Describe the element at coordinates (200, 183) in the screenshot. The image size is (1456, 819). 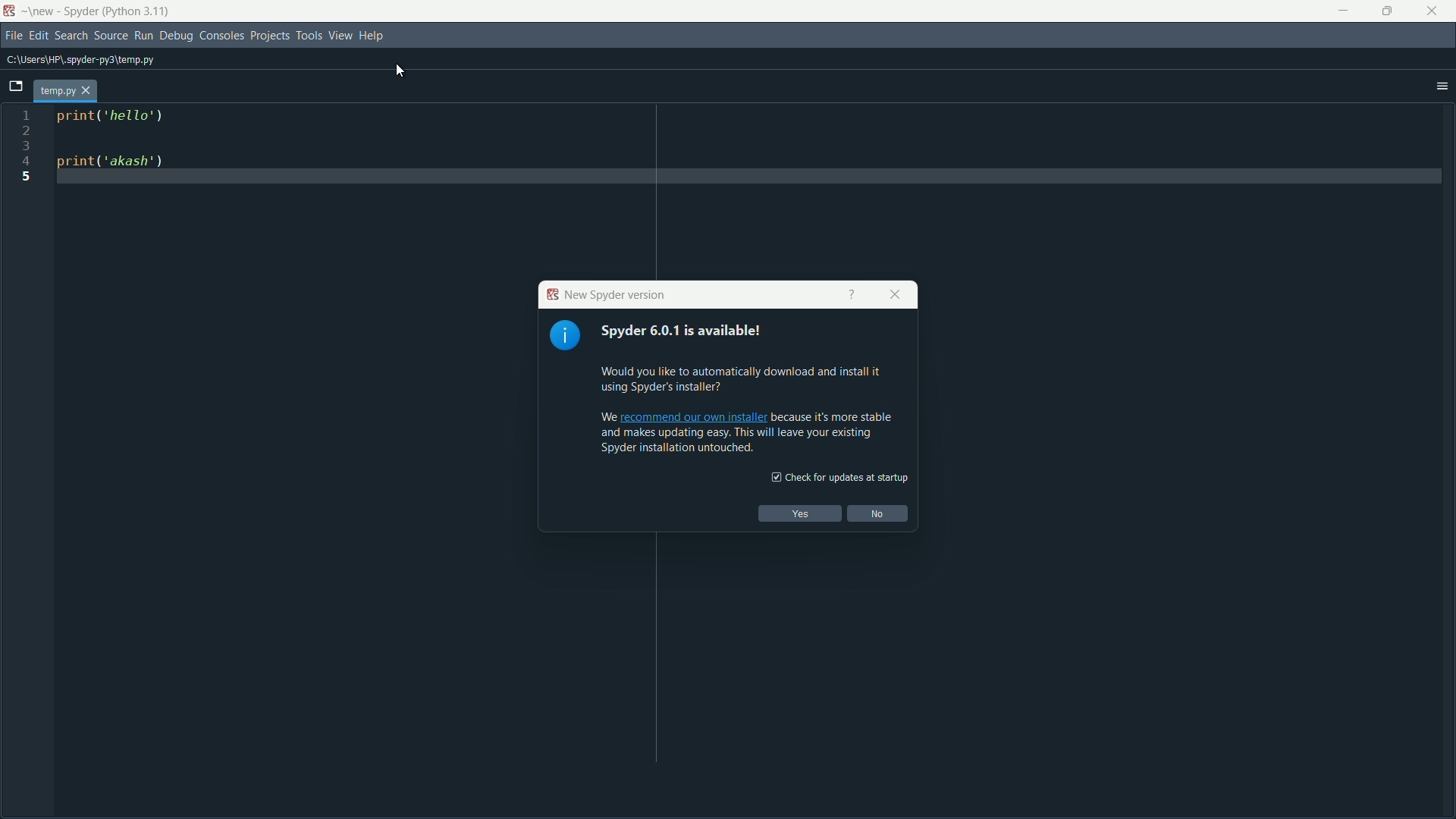
I see `print('hello') print('akash')` at that location.